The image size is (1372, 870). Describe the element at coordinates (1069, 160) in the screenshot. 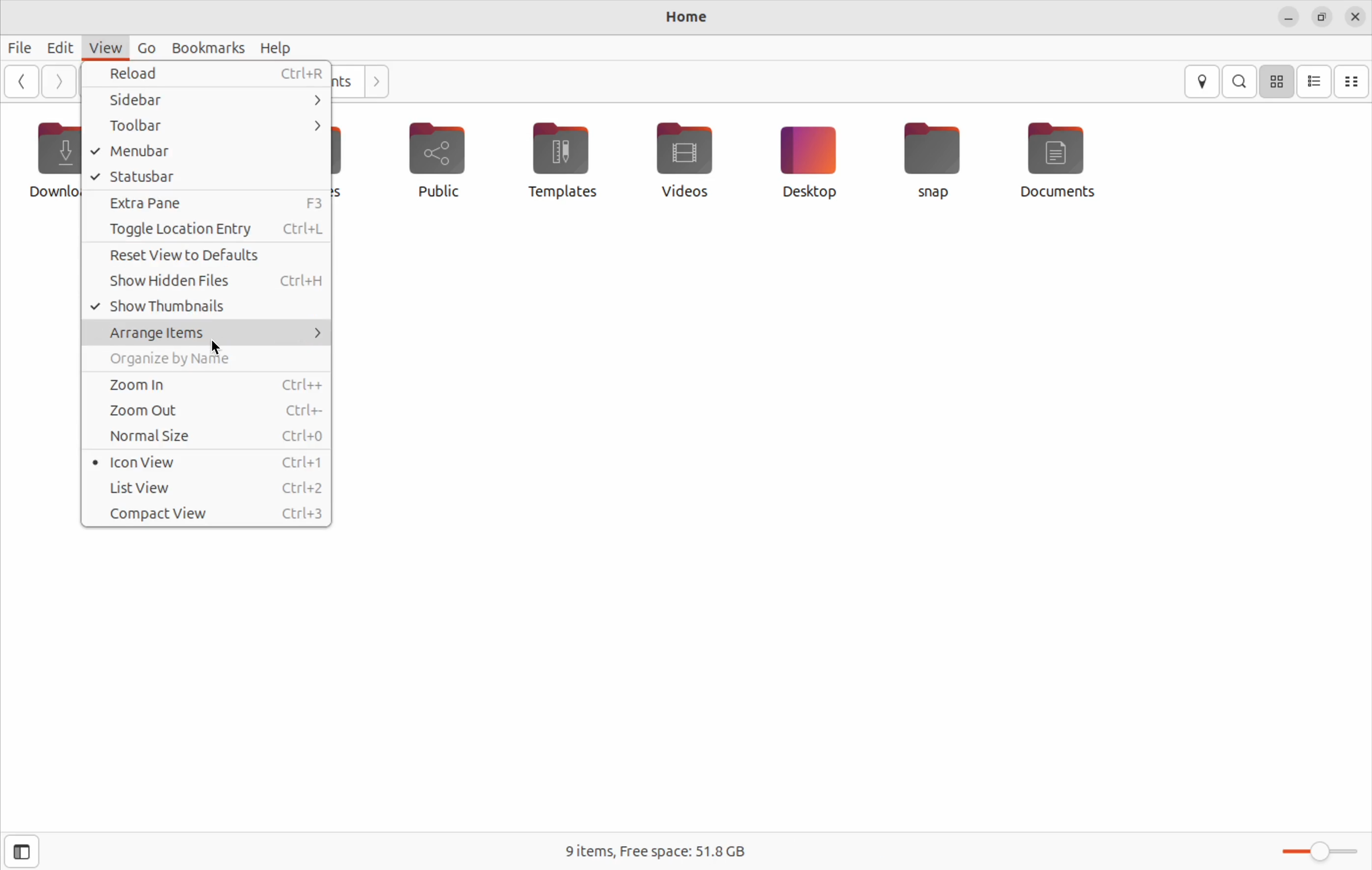

I see `Documents file` at that location.